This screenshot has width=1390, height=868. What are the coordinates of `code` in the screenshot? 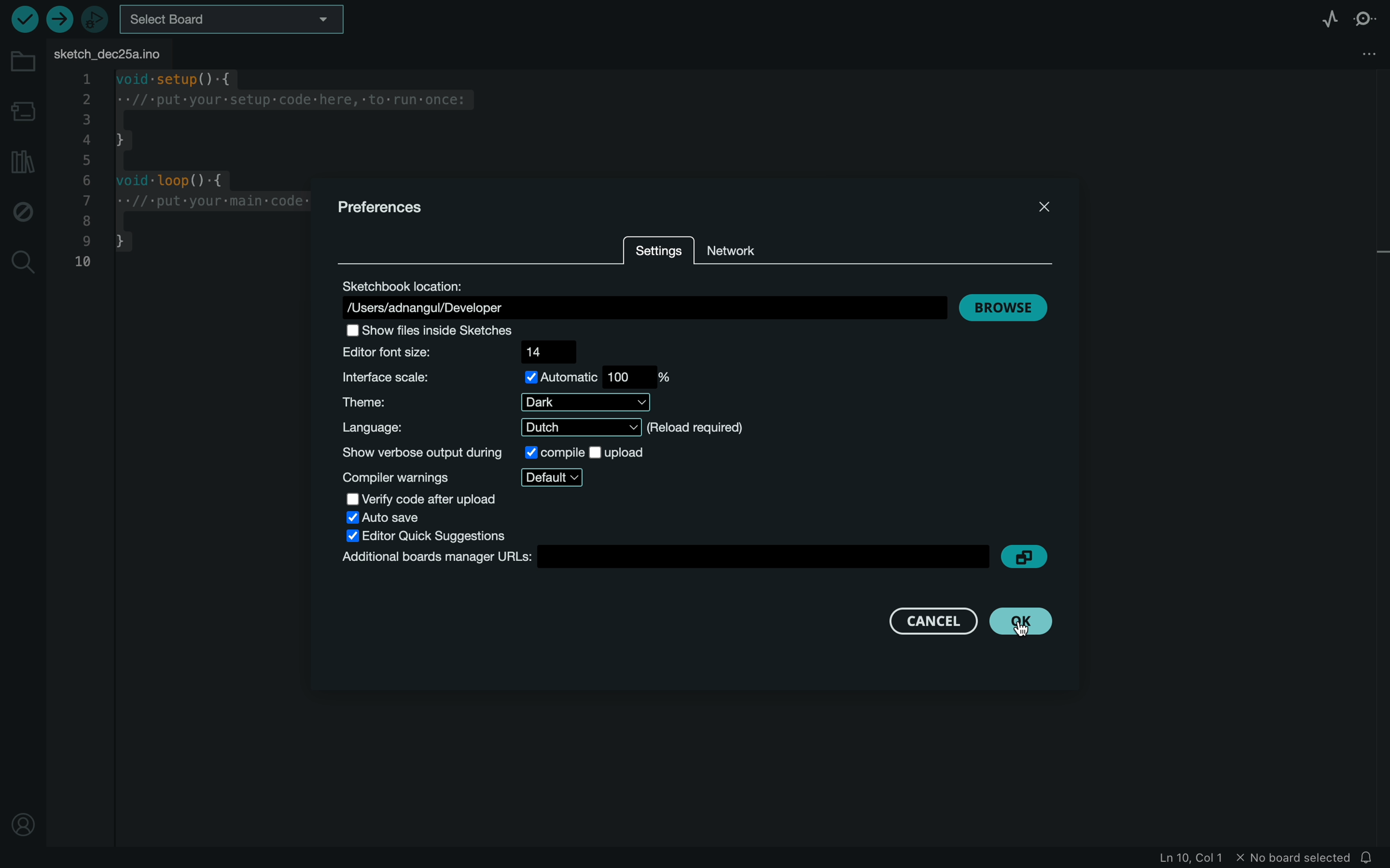 It's located at (188, 174).